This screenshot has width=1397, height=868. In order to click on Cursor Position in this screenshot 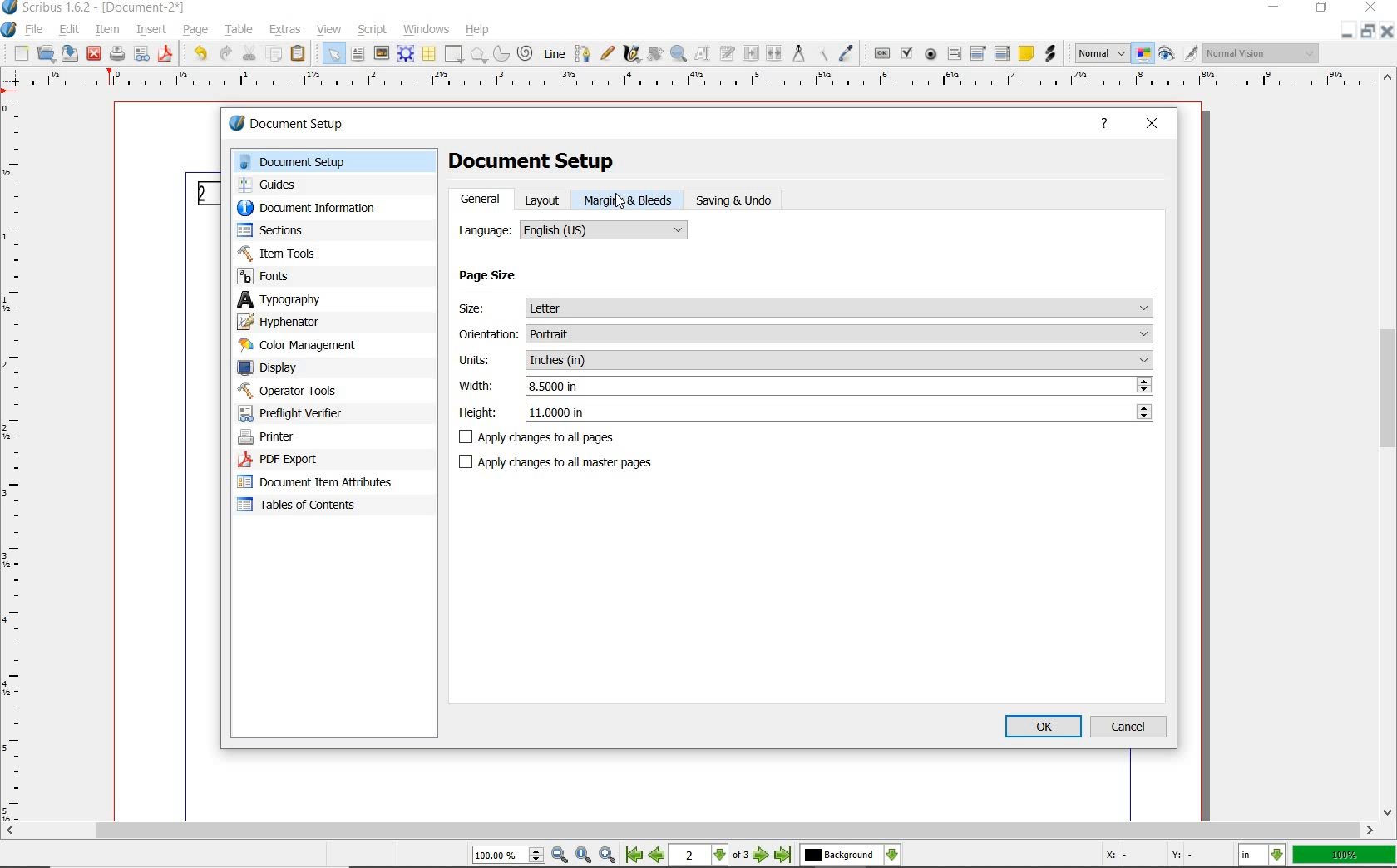, I will do `click(620, 200)`.